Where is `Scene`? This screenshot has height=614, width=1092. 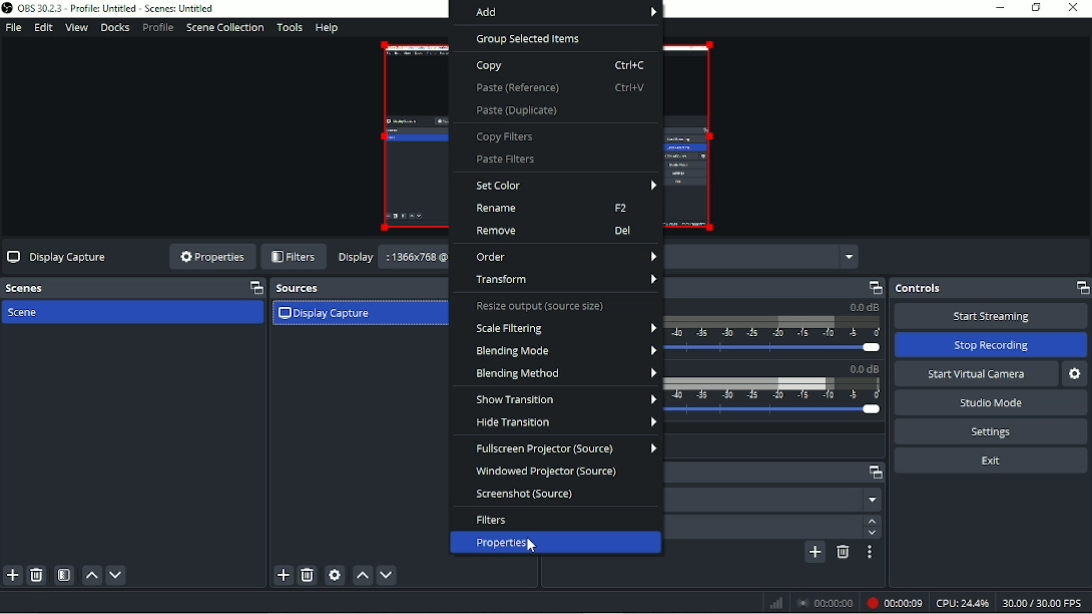
Scene is located at coordinates (27, 313).